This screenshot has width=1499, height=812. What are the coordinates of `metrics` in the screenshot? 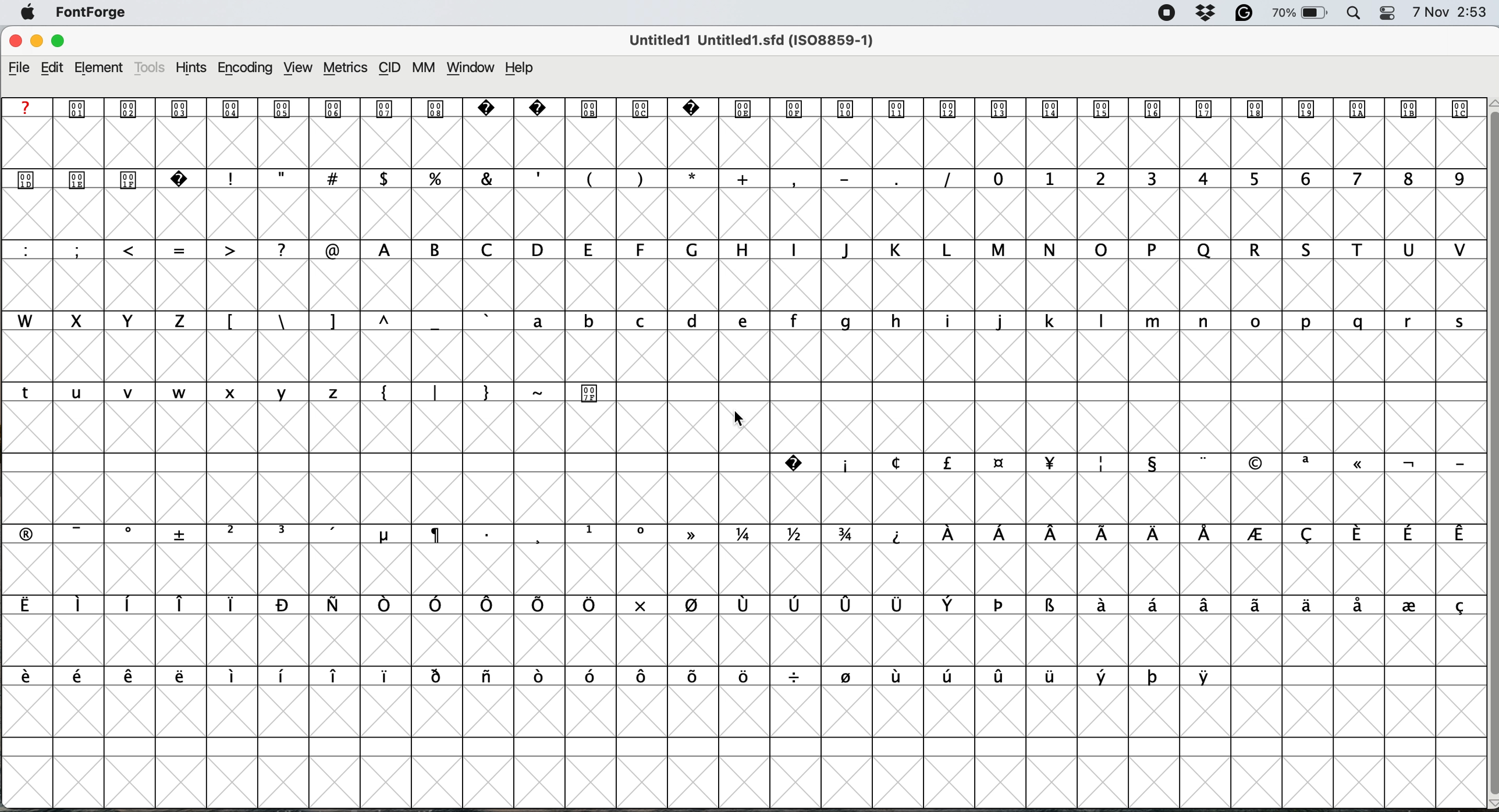 It's located at (347, 66).